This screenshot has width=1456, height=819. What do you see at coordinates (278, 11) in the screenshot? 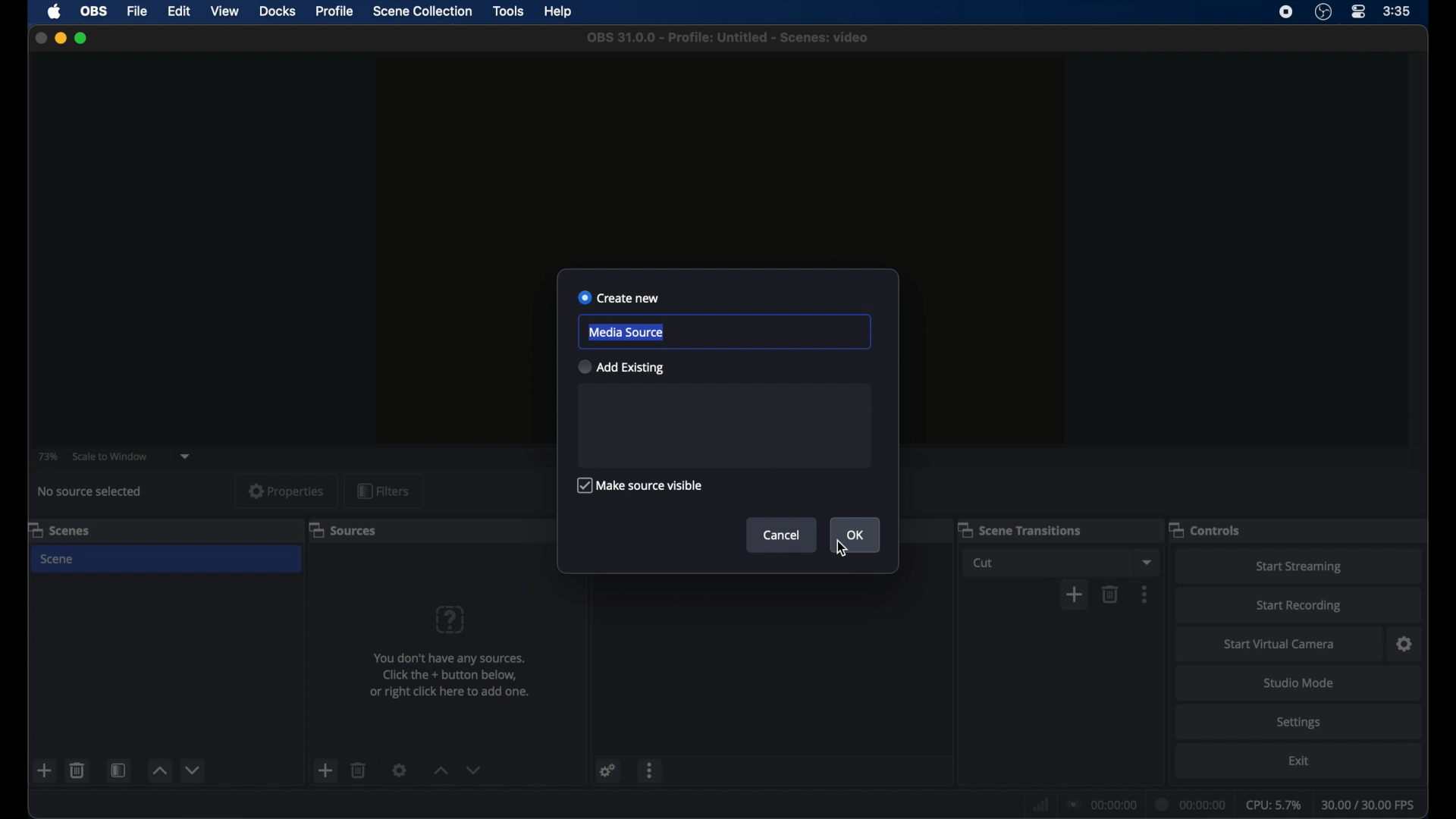
I see `docks` at bounding box center [278, 11].